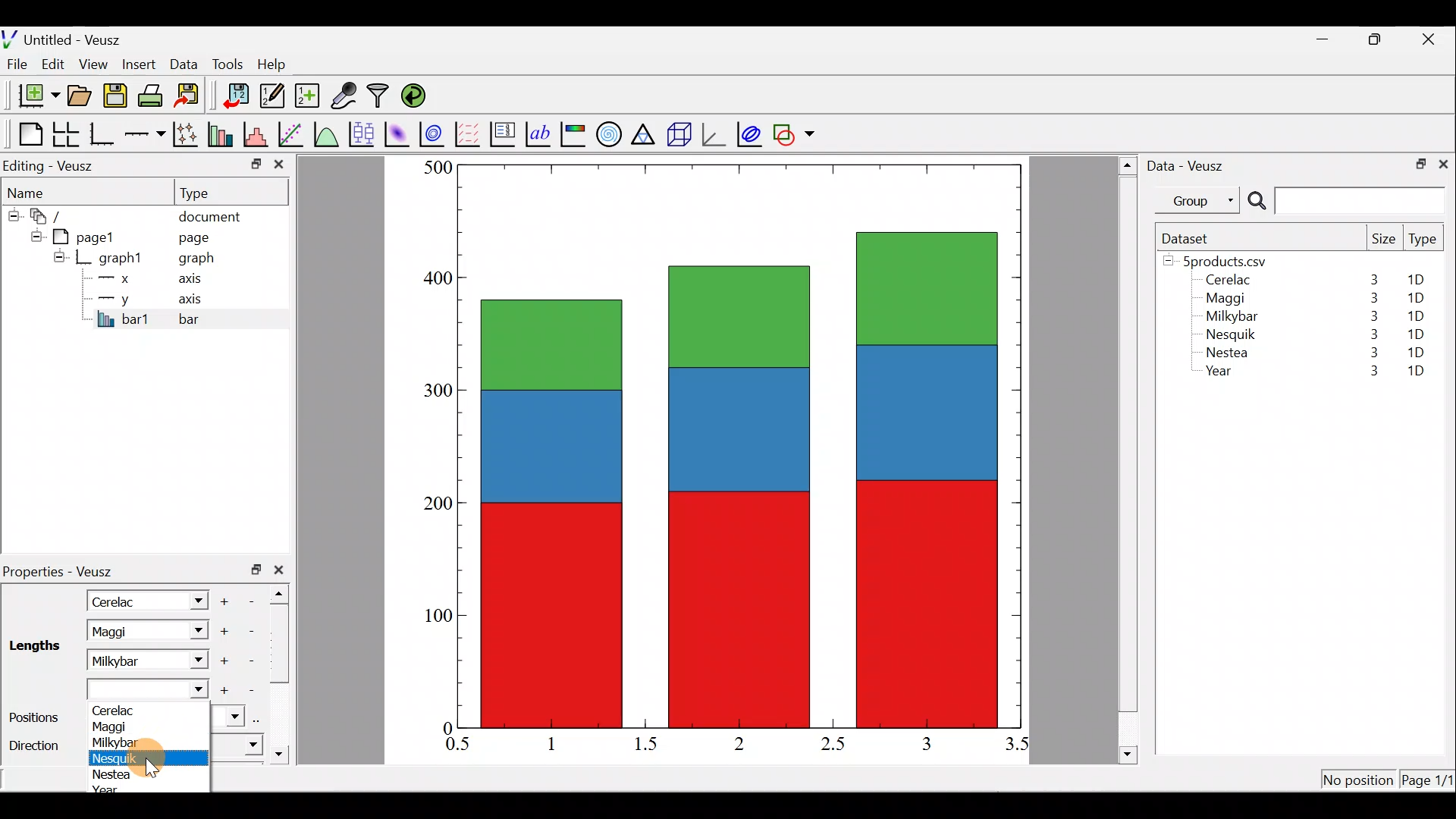 The width and height of the screenshot is (1456, 819). Describe the element at coordinates (1371, 334) in the screenshot. I see `3` at that location.